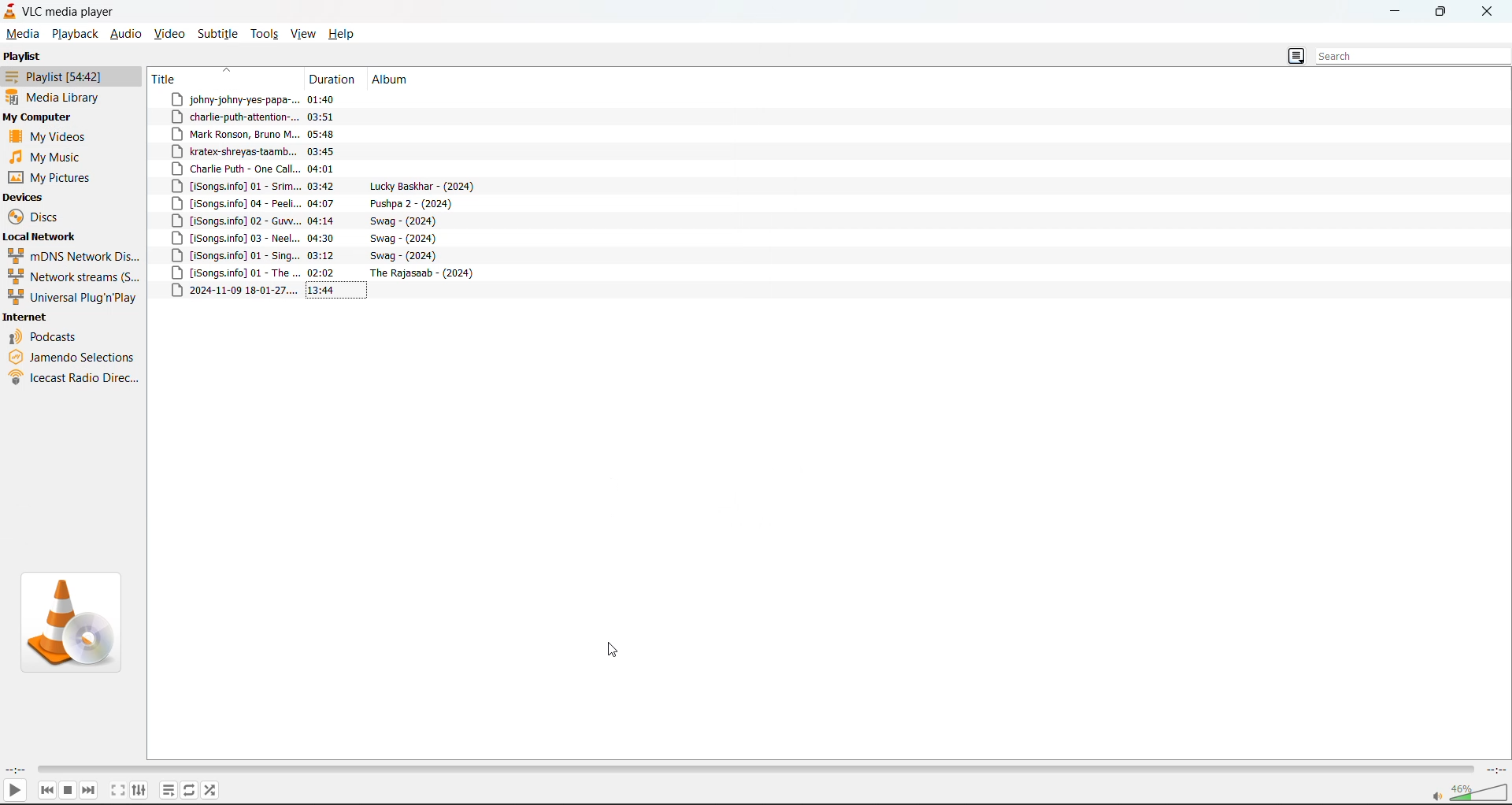 The width and height of the screenshot is (1512, 805). Describe the element at coordinates (72, 378) in the screenshot. I see `icecast` at that location.